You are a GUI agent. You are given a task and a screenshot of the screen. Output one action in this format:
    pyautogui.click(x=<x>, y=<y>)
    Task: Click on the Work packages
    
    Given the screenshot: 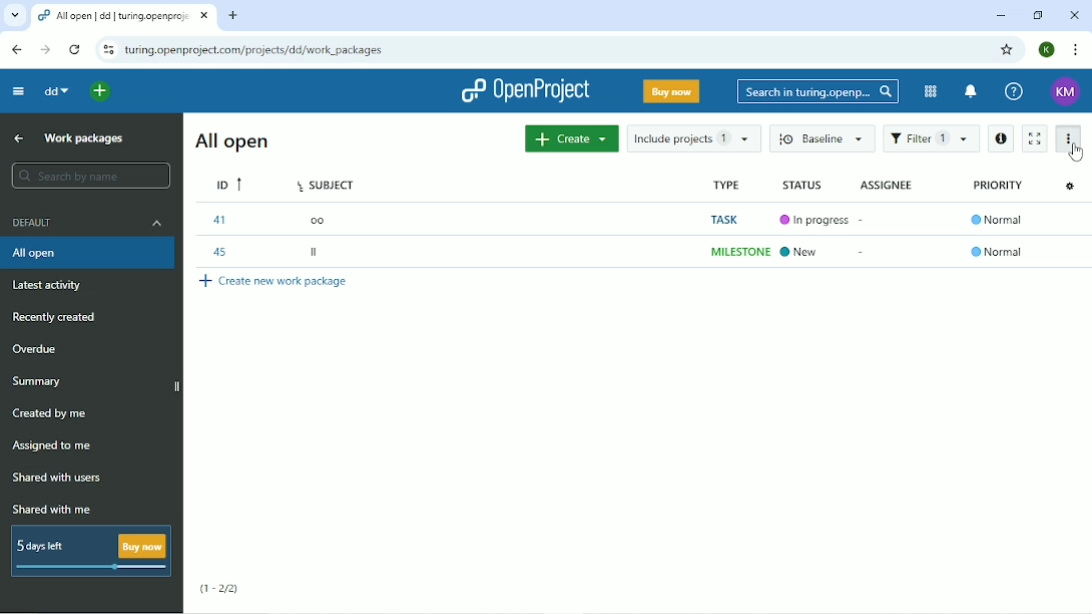 What is the action you would take?
    pyautogui.click(x=84, y=140)
    